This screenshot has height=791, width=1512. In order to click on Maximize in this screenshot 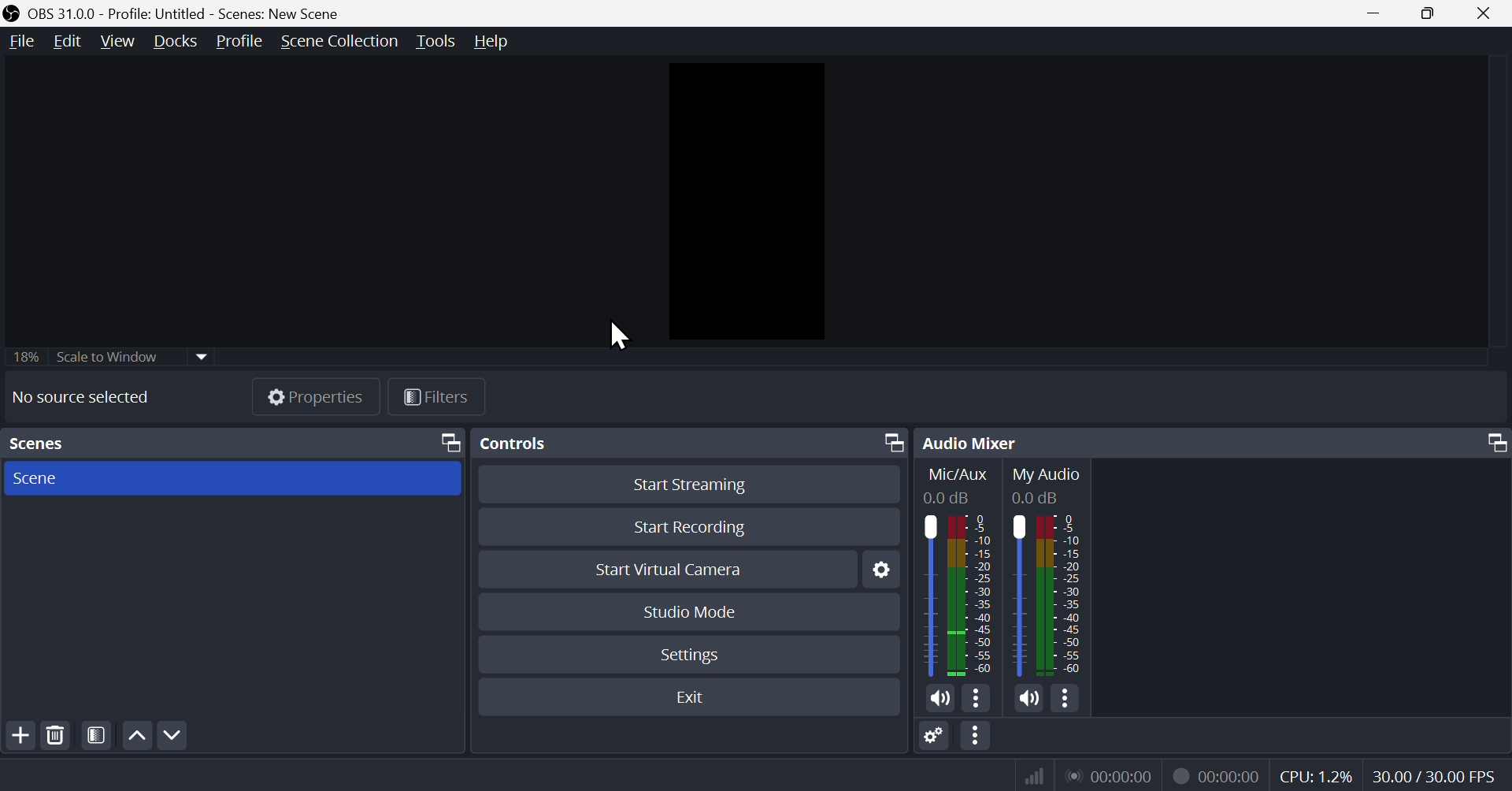, I will do `click(1429, 12)`.